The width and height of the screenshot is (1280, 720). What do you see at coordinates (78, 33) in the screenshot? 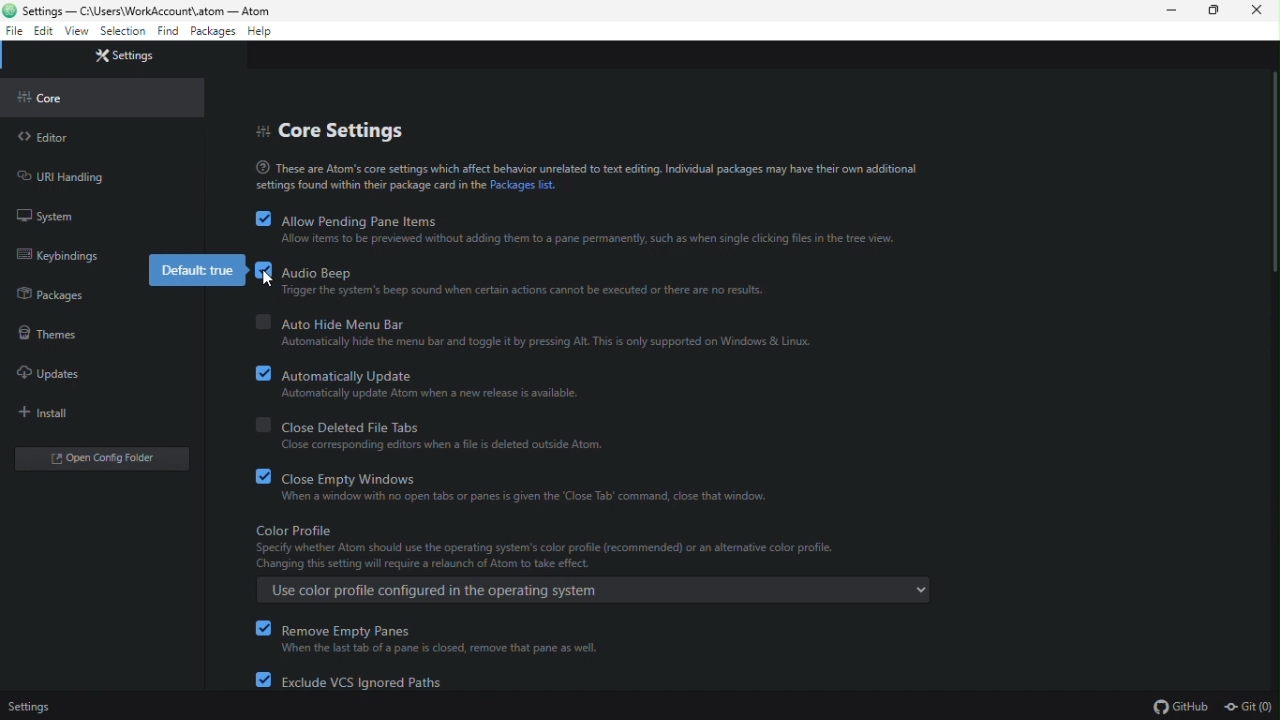
I see `view` at bounding box center [78, 33].